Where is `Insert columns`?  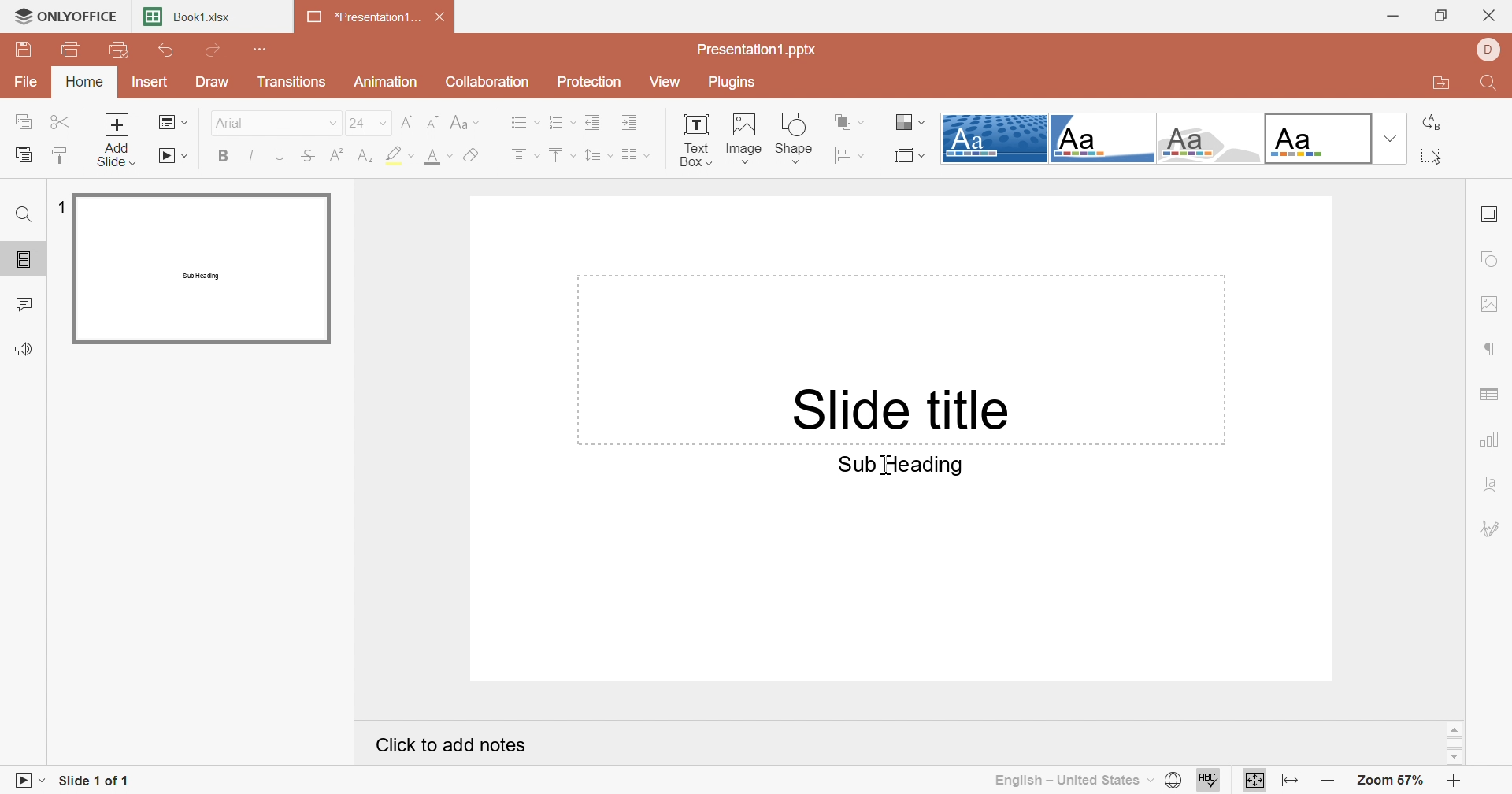
Insert columns is located at coordinates (638, 155).